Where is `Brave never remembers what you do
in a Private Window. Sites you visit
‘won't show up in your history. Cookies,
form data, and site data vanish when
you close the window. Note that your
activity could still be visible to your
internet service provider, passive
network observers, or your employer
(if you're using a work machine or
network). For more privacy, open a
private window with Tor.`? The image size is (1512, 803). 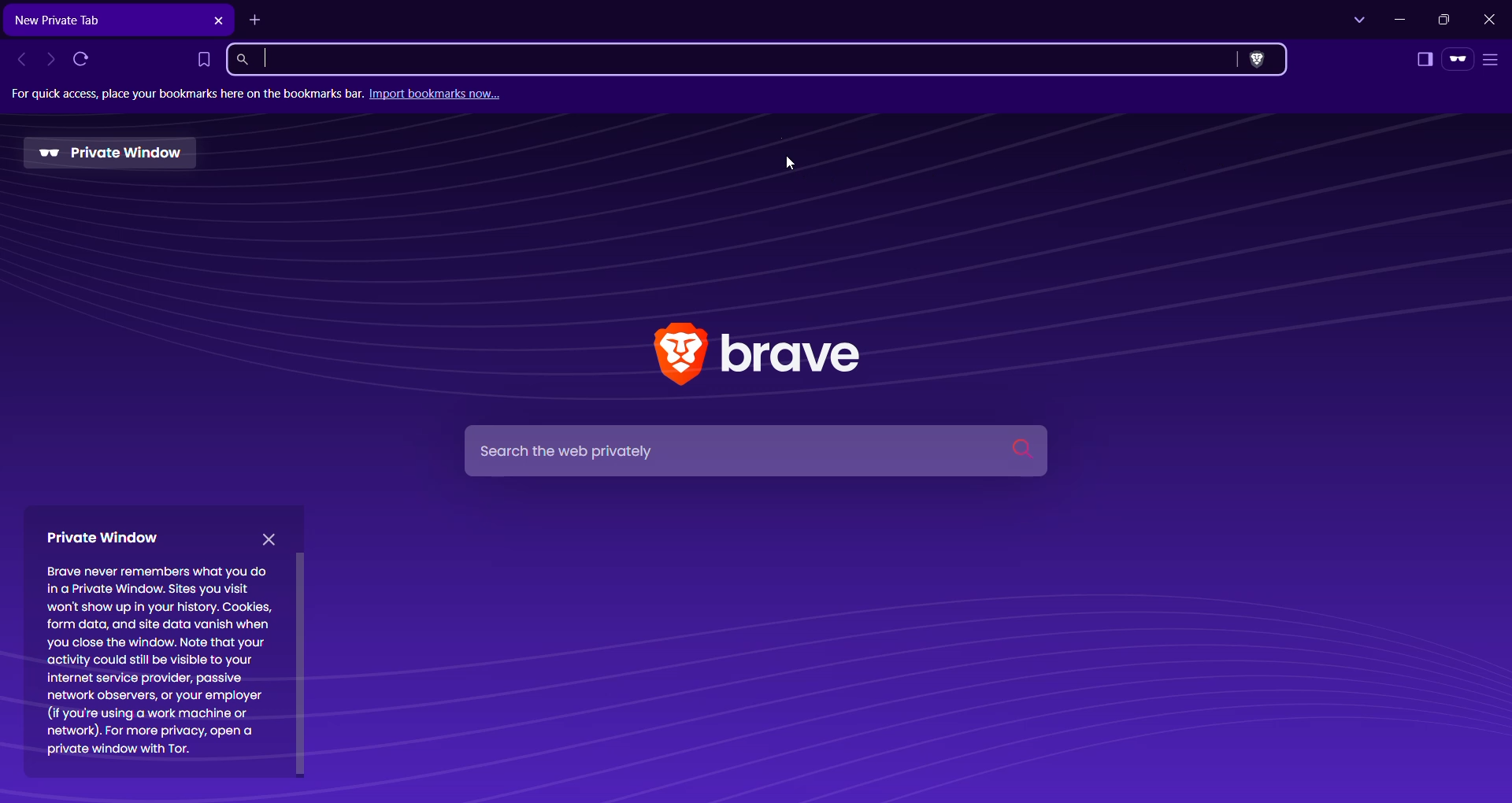 Brave never remembers what you do
in a Private Window. Sites you visit
‘won't show up in your history. Cookies,
form data, and site data vanish when
you close the window. Note that your
activity could still be visible to your
internet service provider, passive
network observers, or your employer
(if you're using a work machine or
network). For more privacy, open a
private window with Tor. is located at coordinates (162, 665).